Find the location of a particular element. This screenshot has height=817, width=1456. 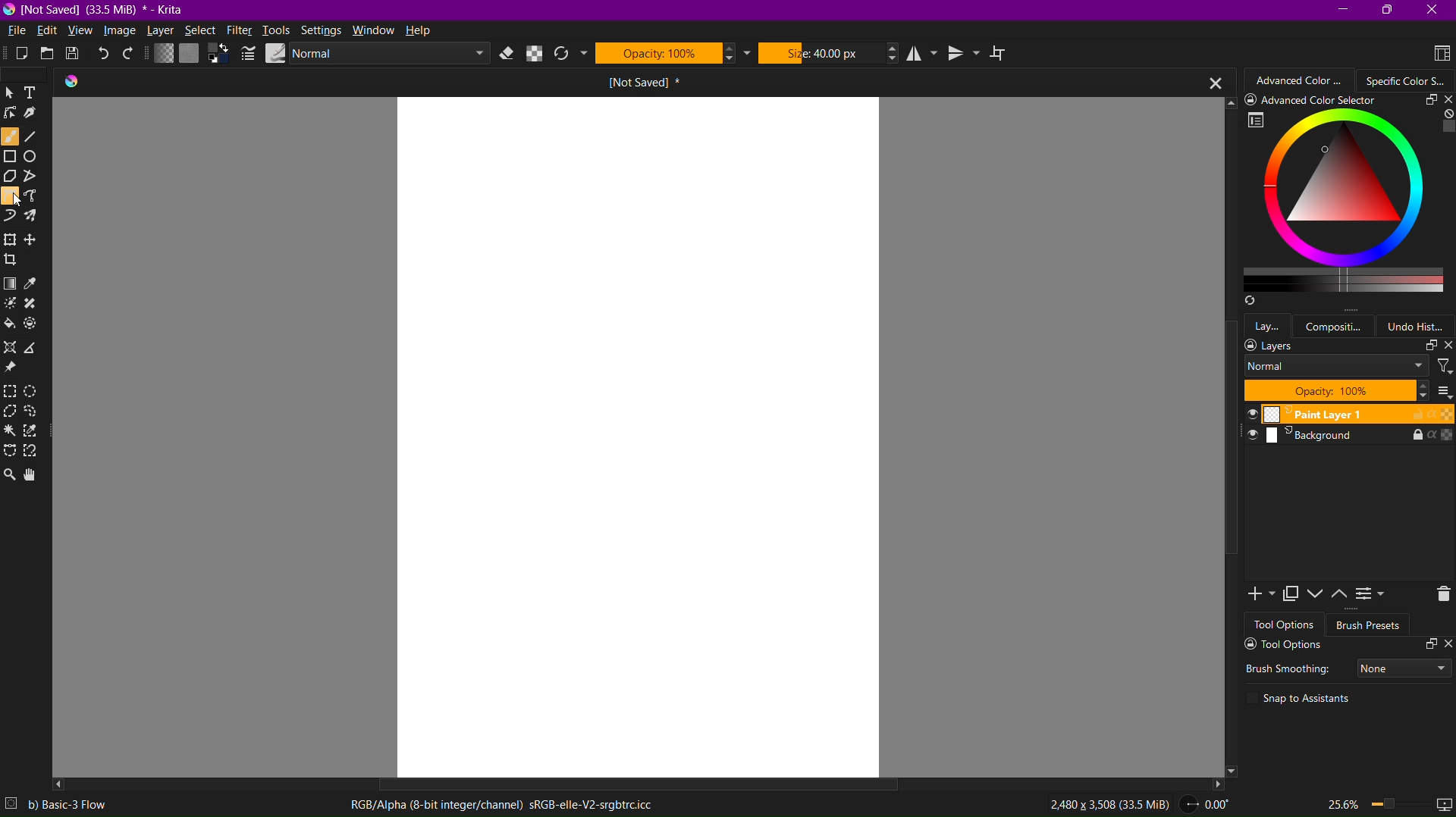

Rectangular Selection Tool is located at coordinates (13, 392).